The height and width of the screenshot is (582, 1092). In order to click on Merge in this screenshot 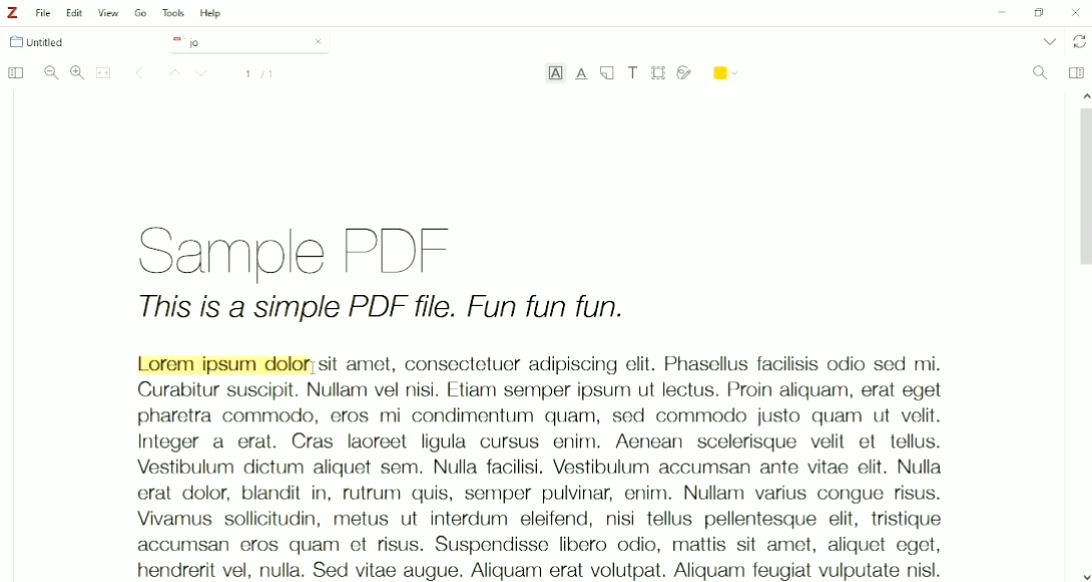, I will do `click(104, 73)`.